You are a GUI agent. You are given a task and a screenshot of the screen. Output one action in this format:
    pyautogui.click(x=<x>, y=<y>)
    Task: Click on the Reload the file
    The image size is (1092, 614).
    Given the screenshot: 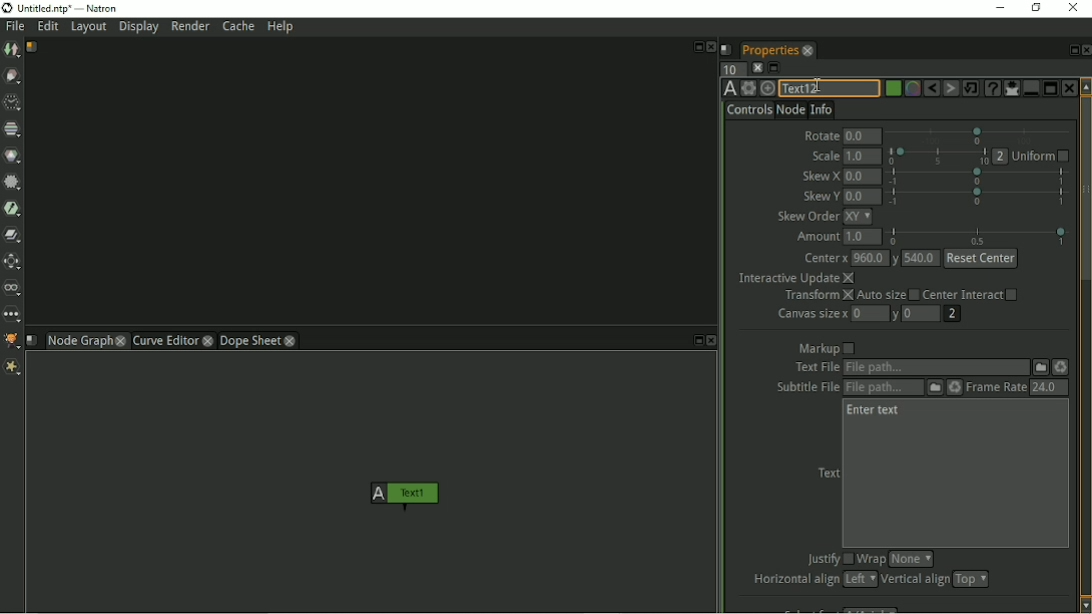 What is the action you would take?
    pyautogui.click(x=955, y=387)
    